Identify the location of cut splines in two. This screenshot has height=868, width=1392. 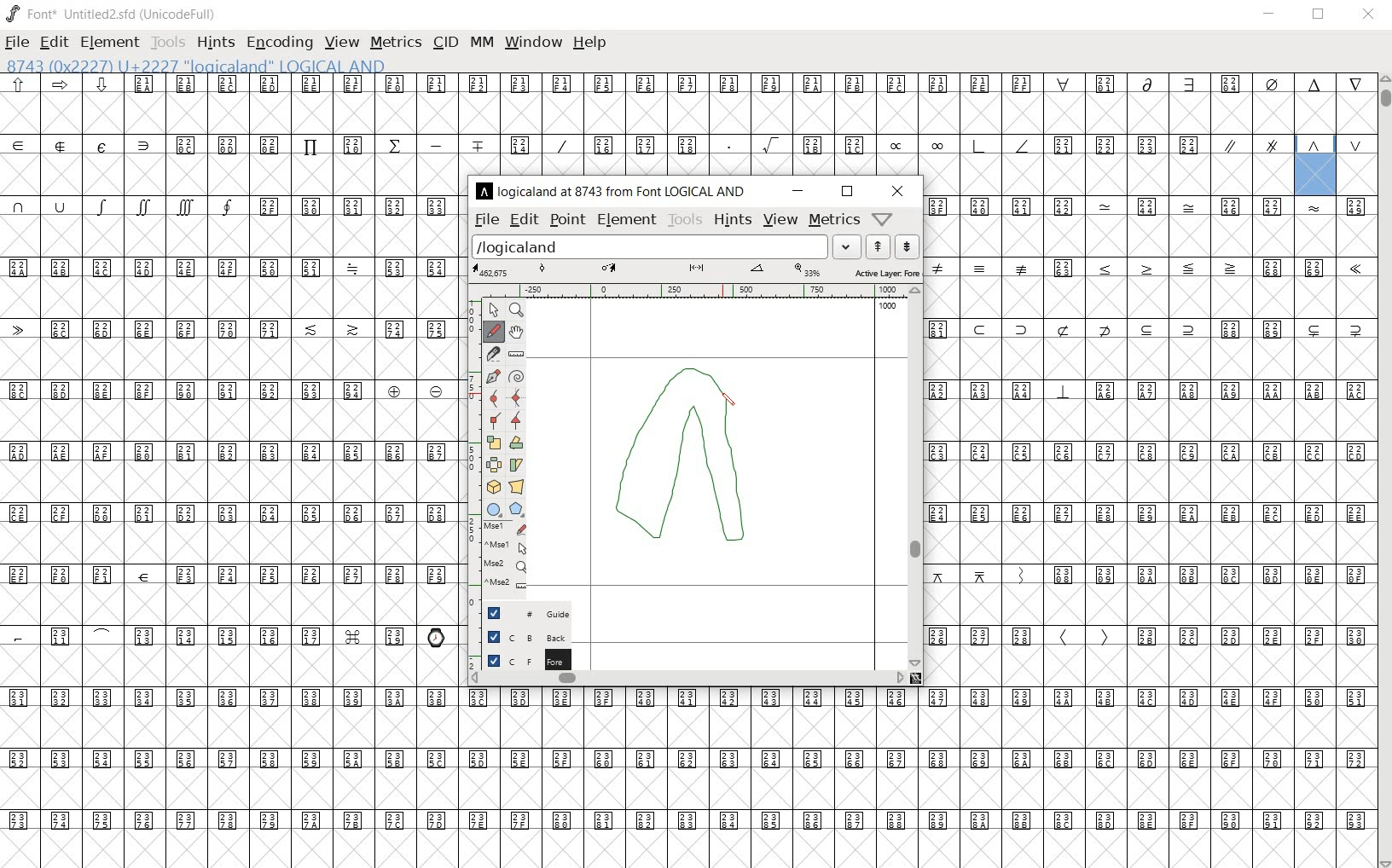
(493, 353).